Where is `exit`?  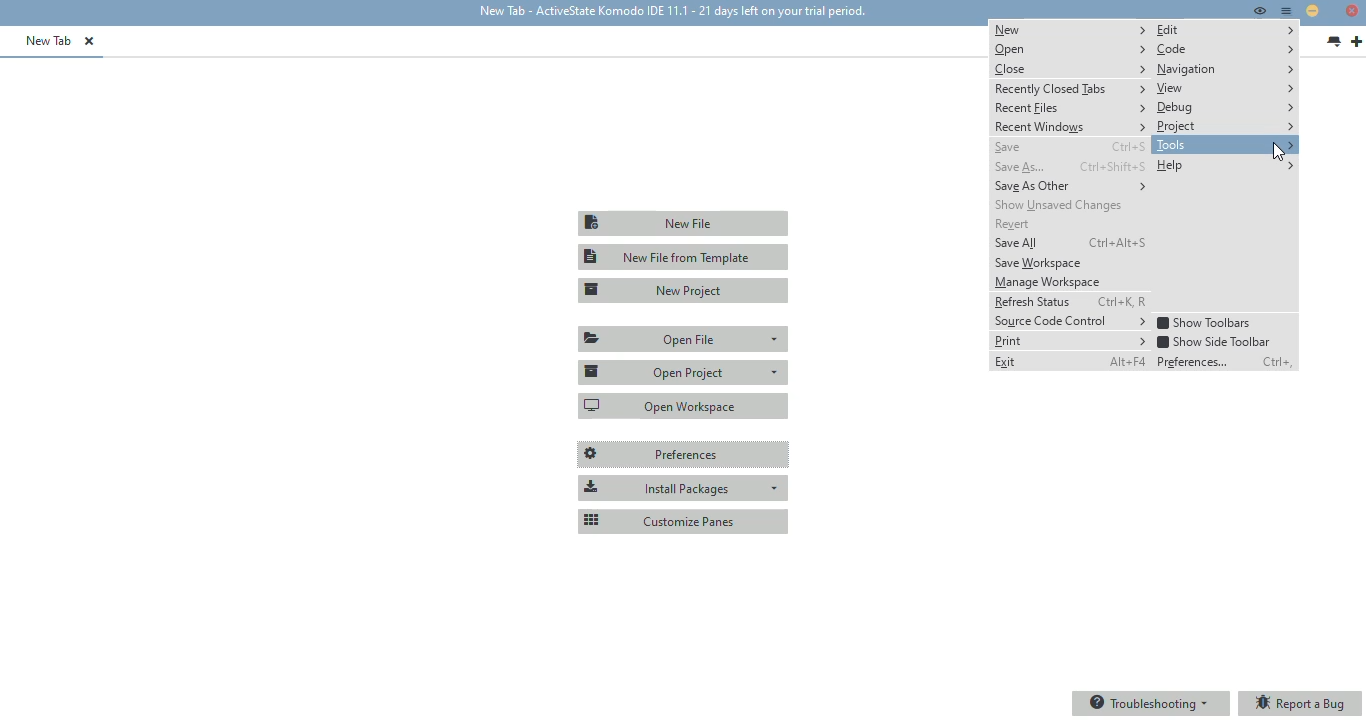 exit is located at coordinates (1006, 362).